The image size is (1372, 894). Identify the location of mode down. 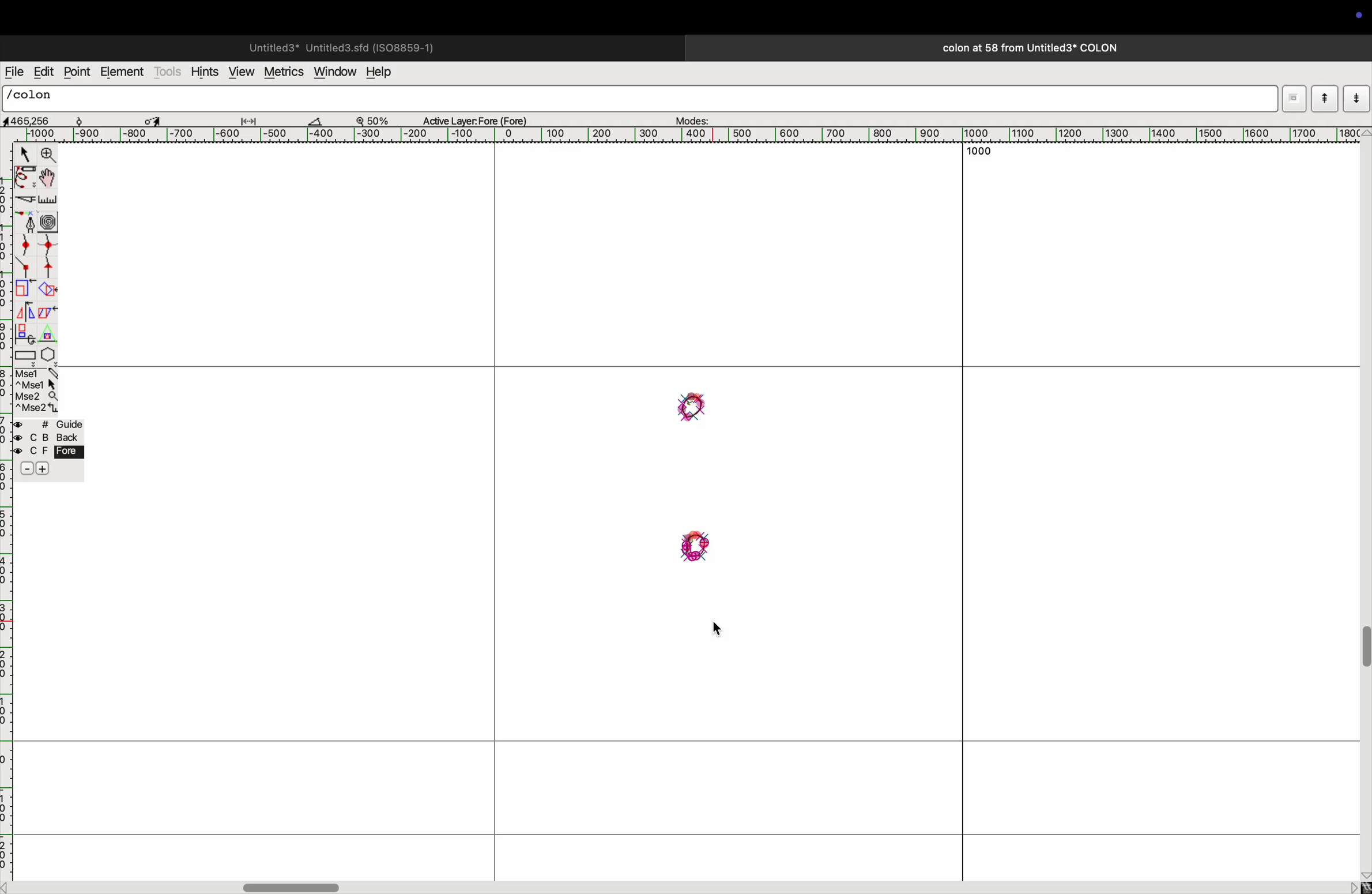
(1356, 97).